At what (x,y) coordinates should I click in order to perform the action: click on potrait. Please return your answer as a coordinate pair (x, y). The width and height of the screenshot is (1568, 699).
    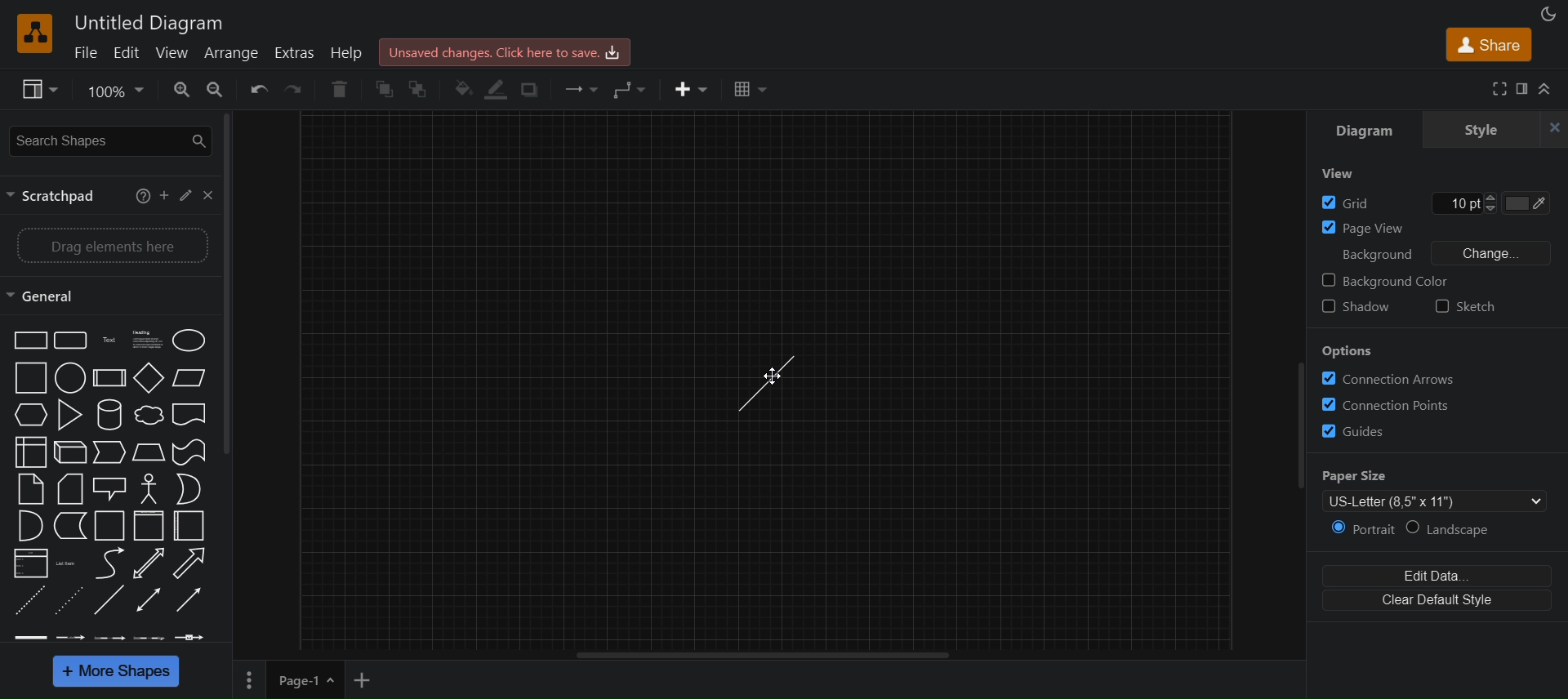
    Looking at the image, I should click on (1353, 531).